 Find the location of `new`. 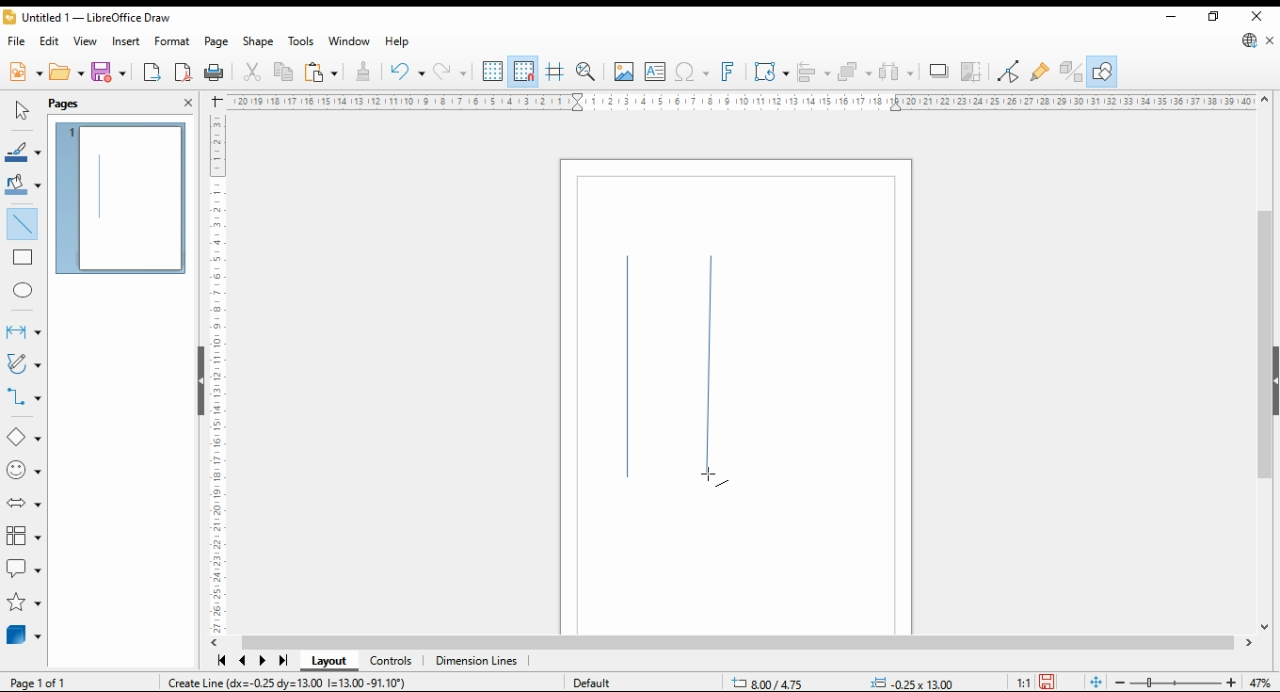

new is located at coordinates (24, 74).